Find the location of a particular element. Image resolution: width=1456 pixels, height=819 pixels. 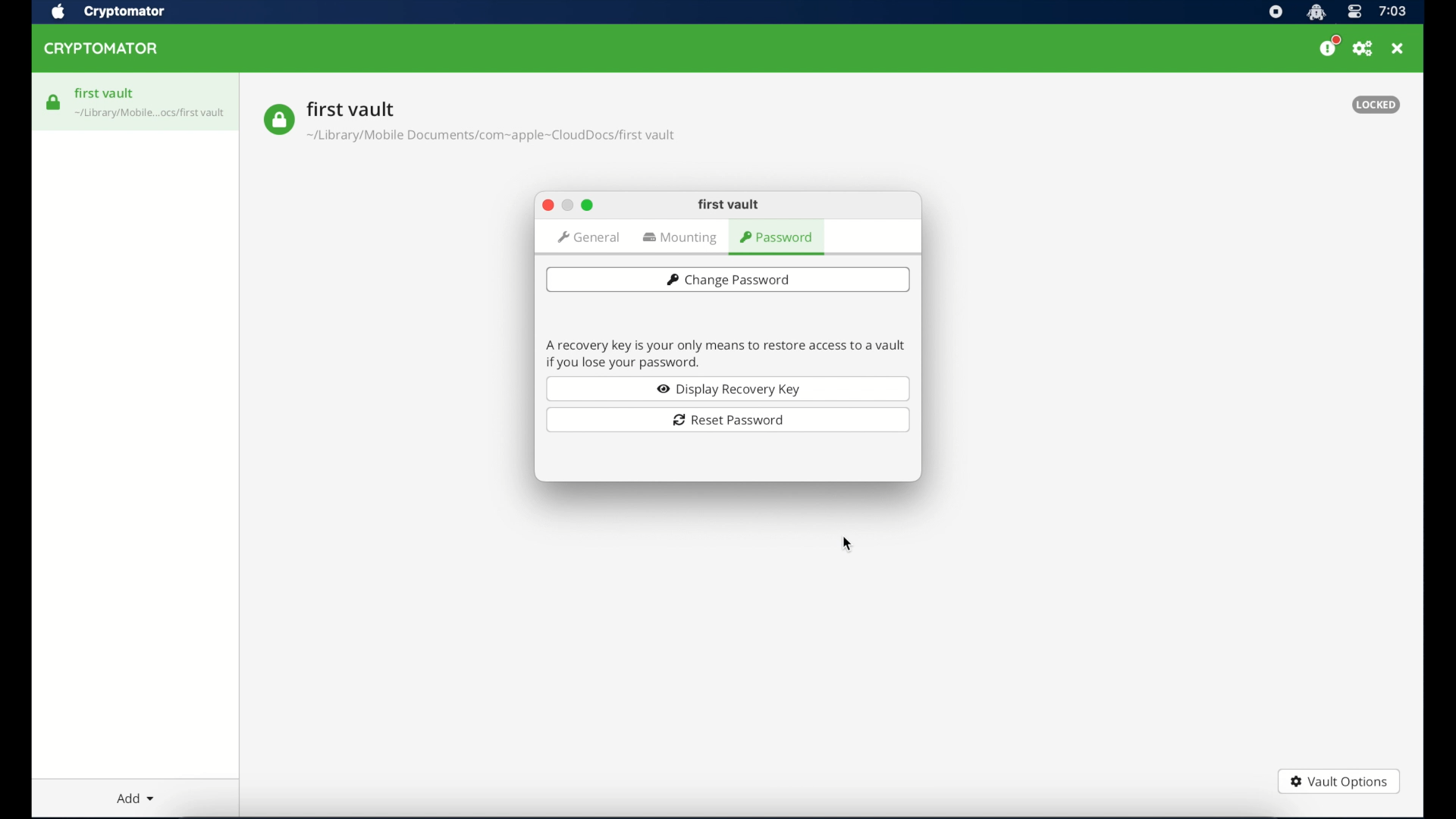

vault location is located at coordinates (493, 138).